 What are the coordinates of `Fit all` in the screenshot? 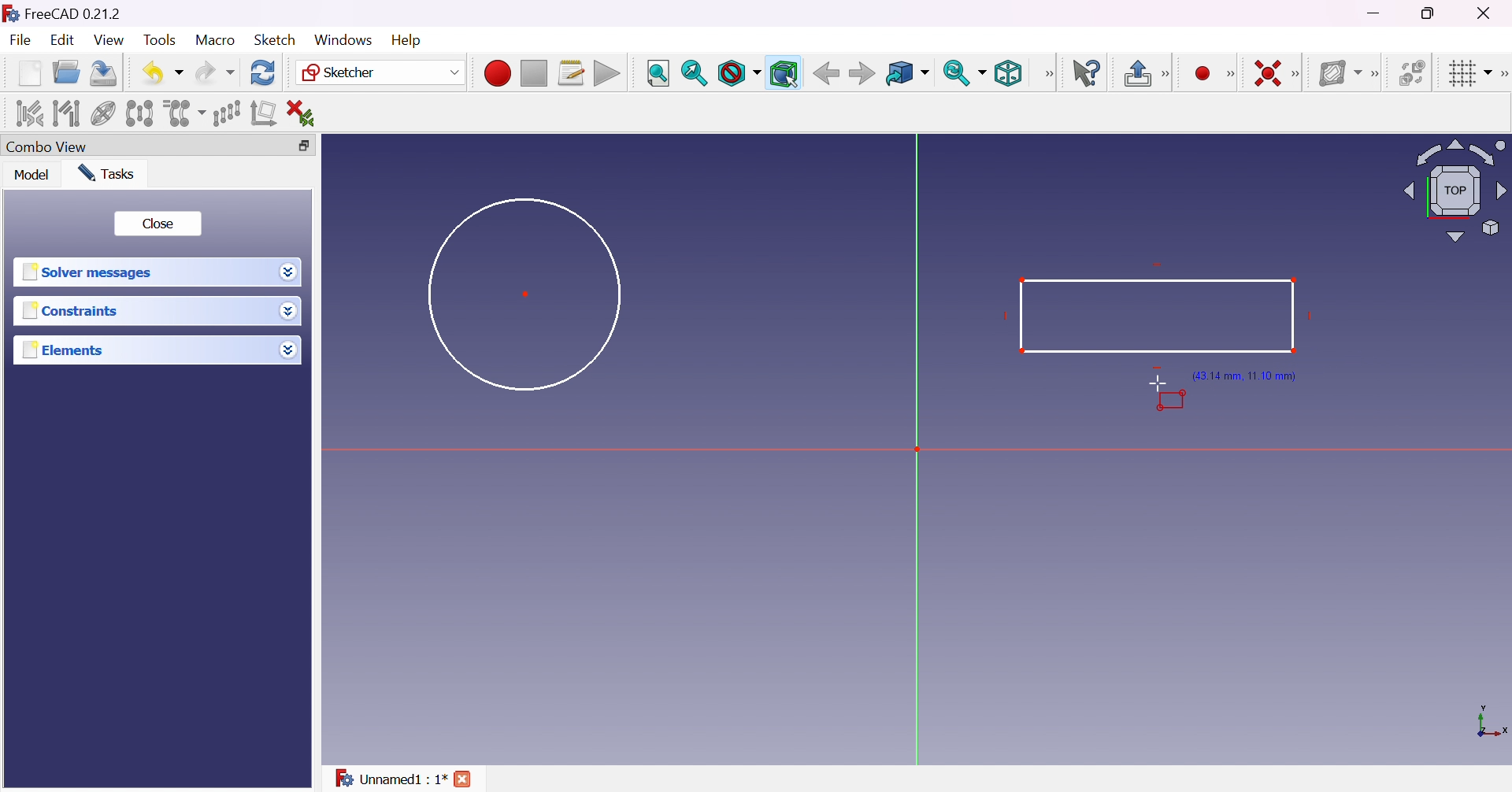 It's located at (658, 74).